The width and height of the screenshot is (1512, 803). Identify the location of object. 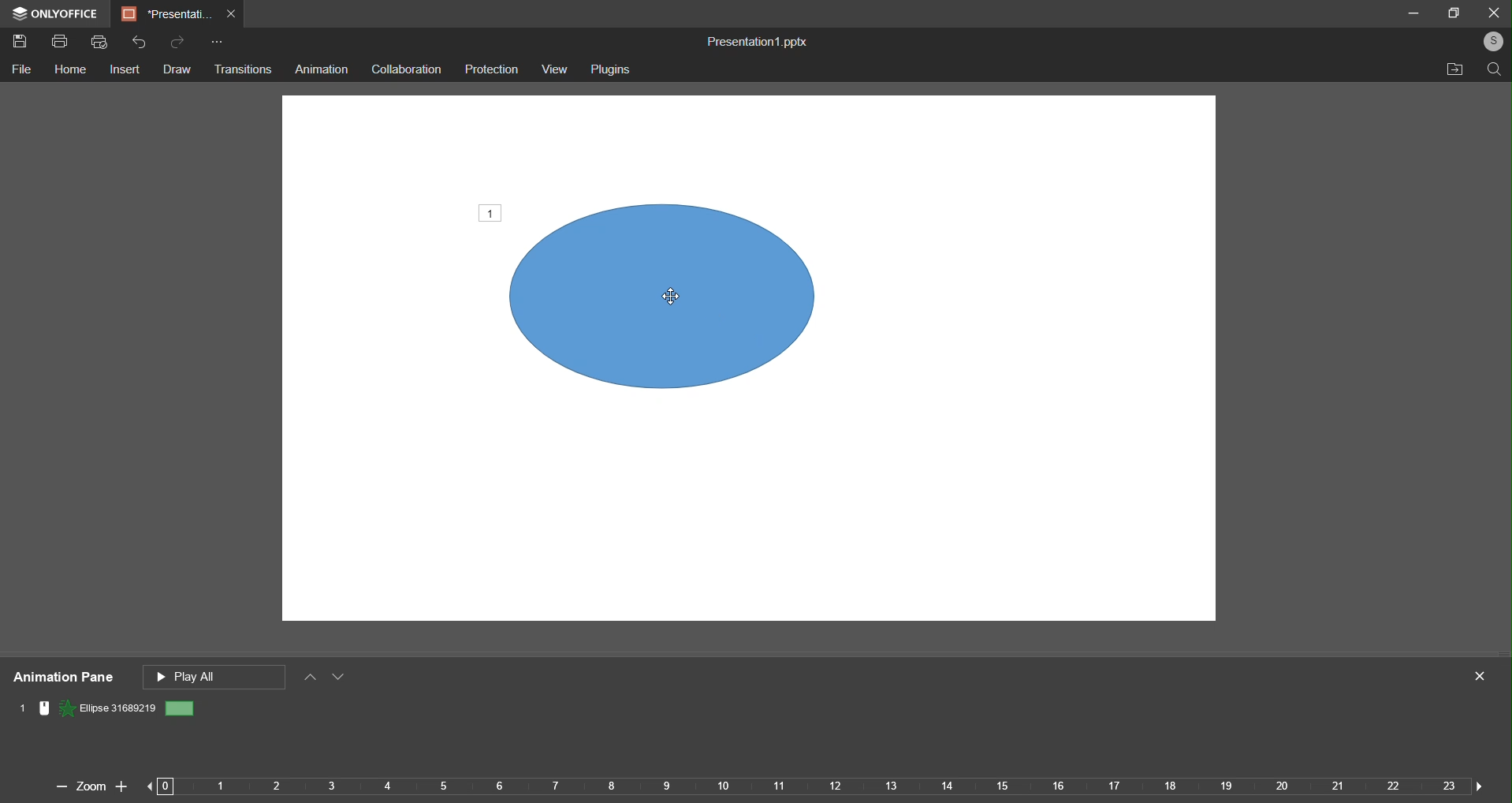
(687, 301).